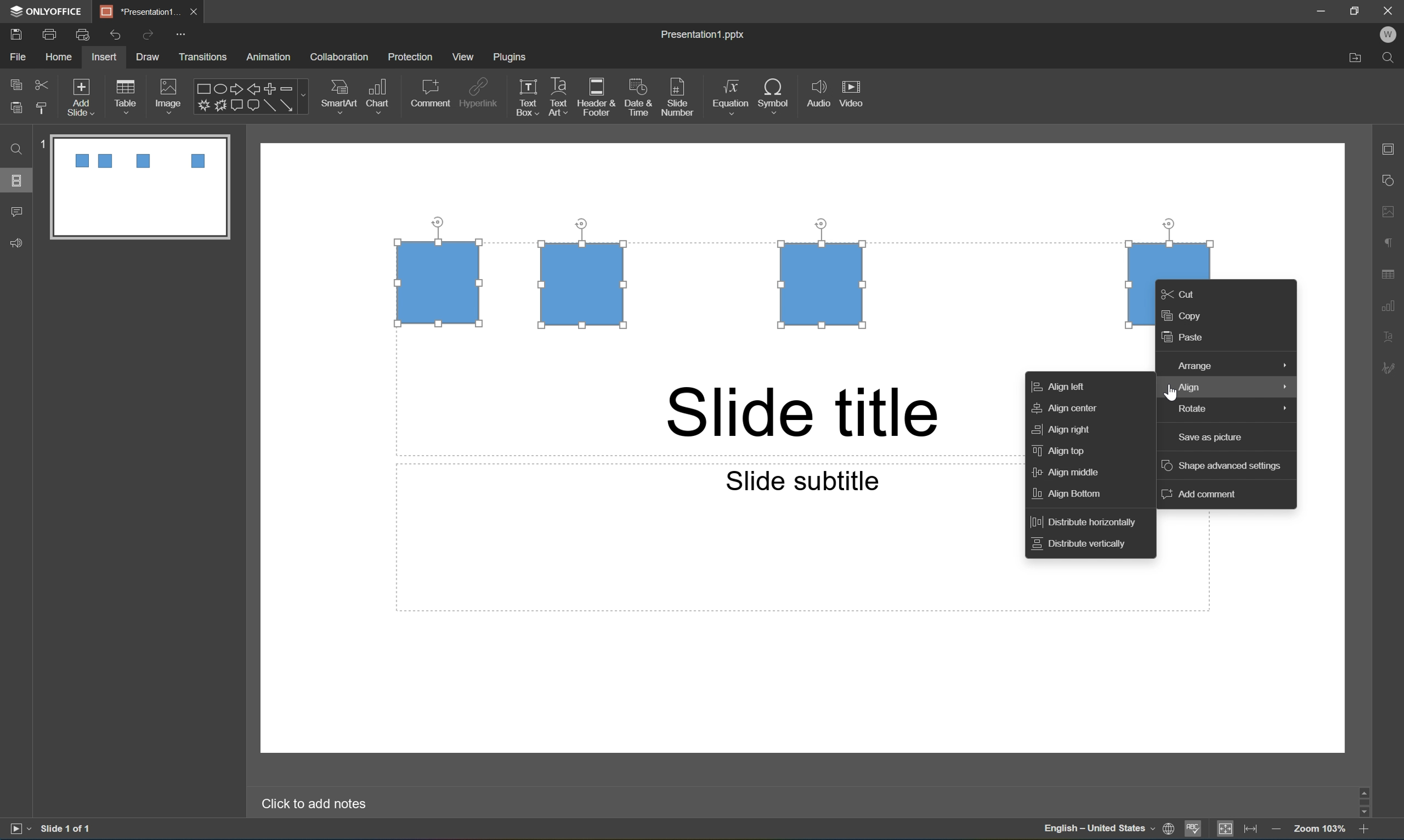 This screenshot has width=1404, height=840. I want to click on table settings, so click(1389, 272).